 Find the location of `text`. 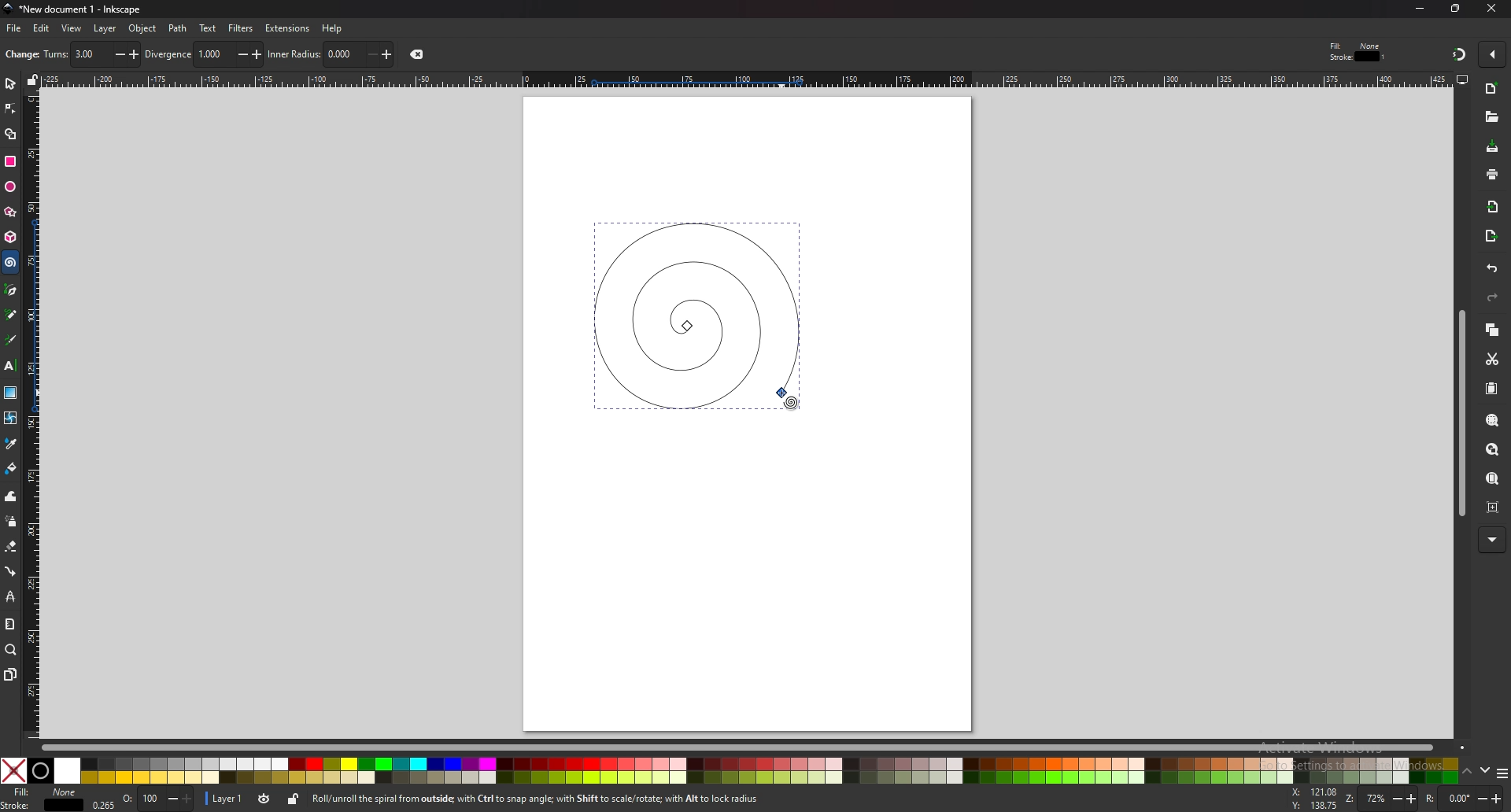

text is located at coordinates (10, 364).